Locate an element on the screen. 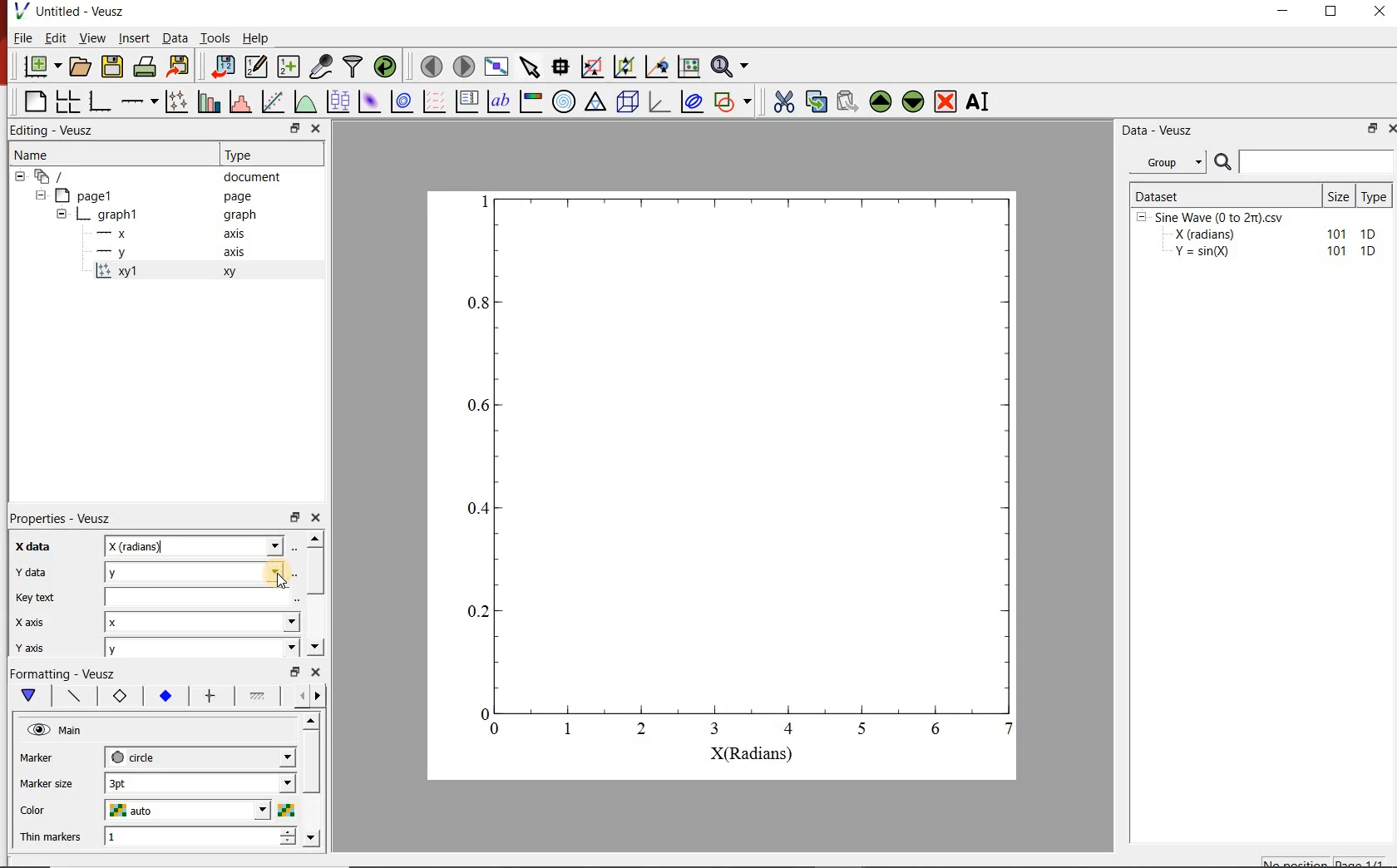  Maximize is located at coordinates (1332, 12).